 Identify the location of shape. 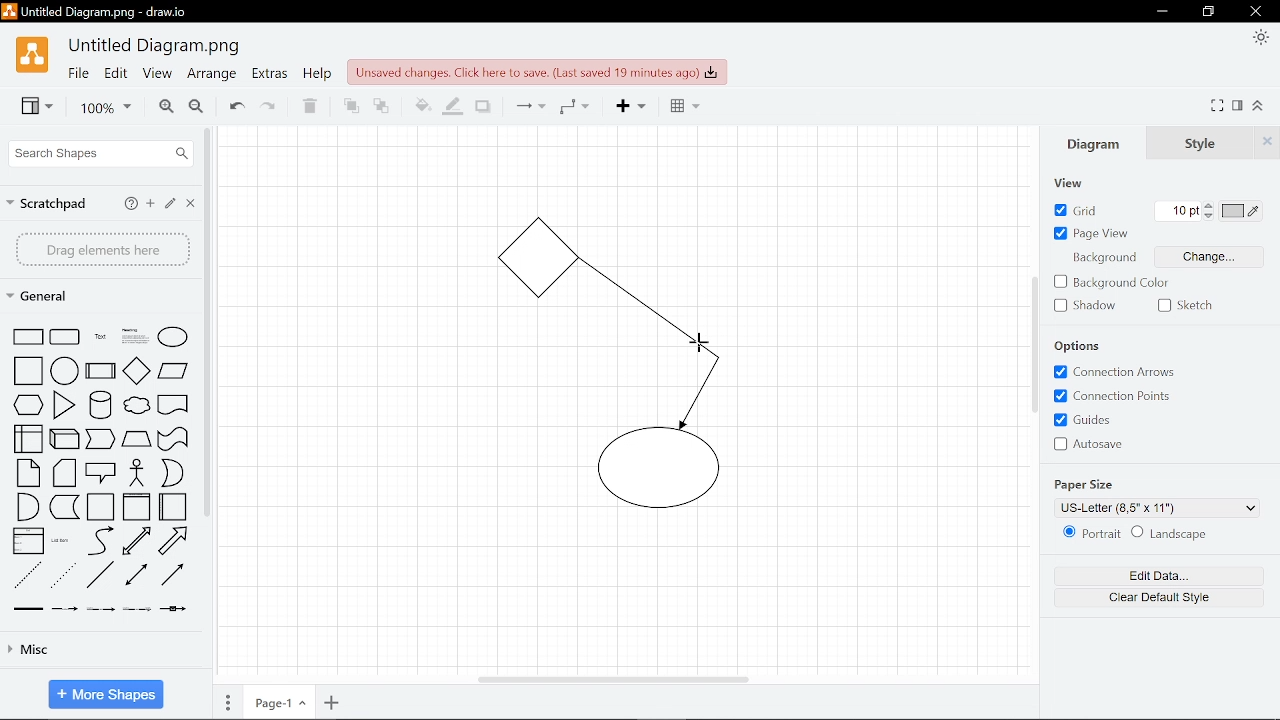
(65, 508).